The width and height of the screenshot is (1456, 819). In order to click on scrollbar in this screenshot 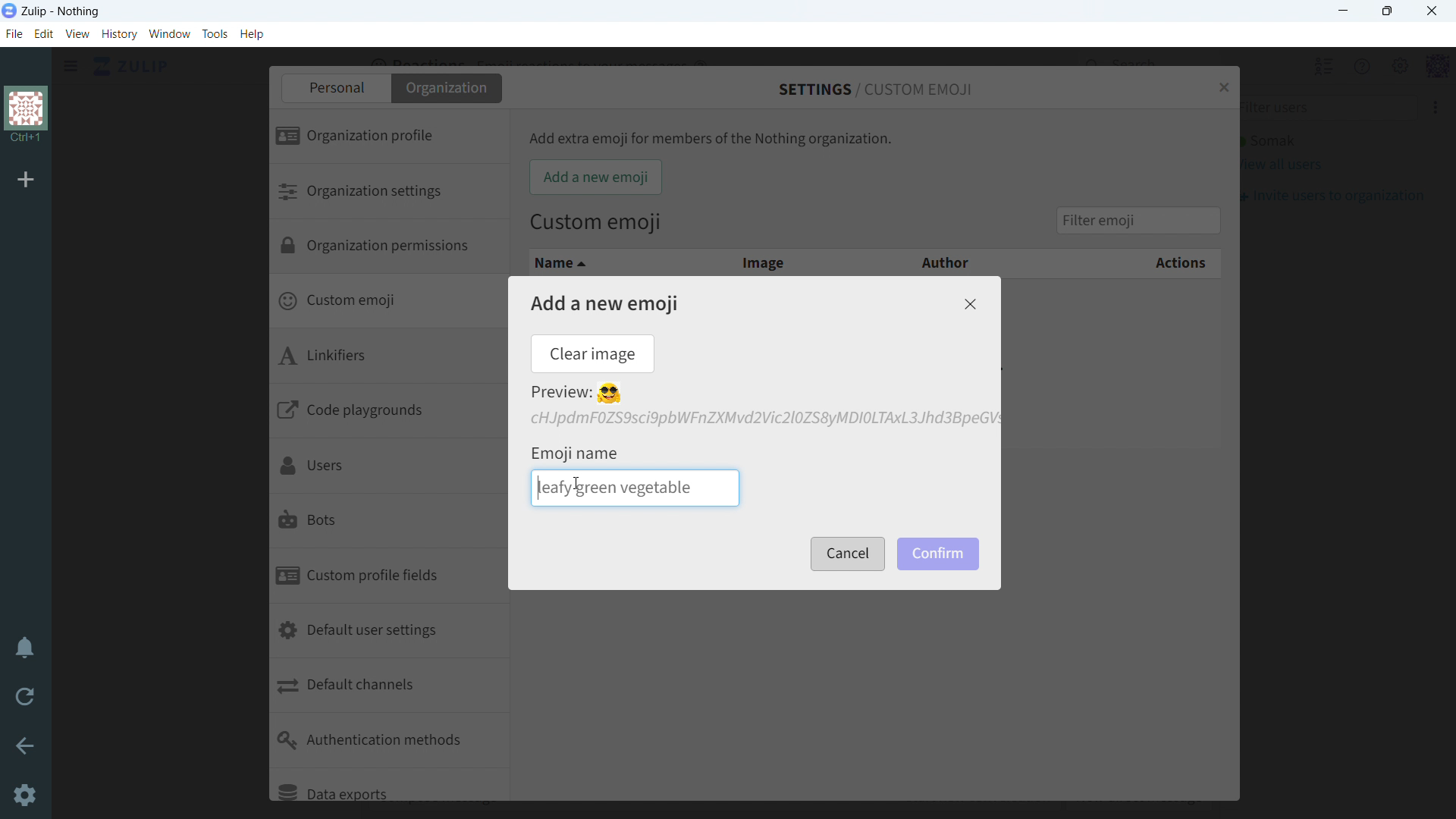, I will do `click(586, 513)`.